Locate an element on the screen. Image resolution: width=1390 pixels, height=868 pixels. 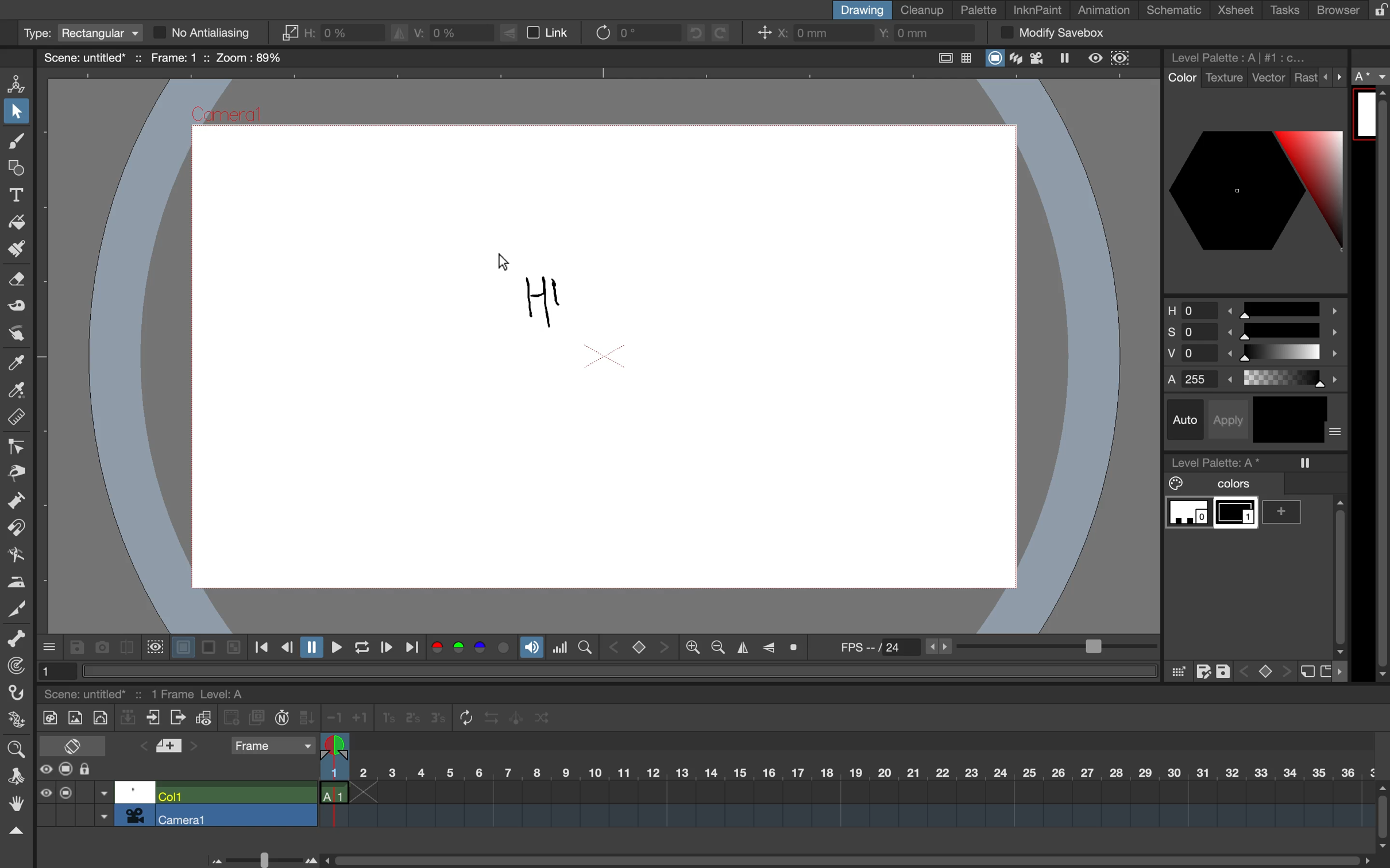
freeze is located at coordinates (1306, 463).